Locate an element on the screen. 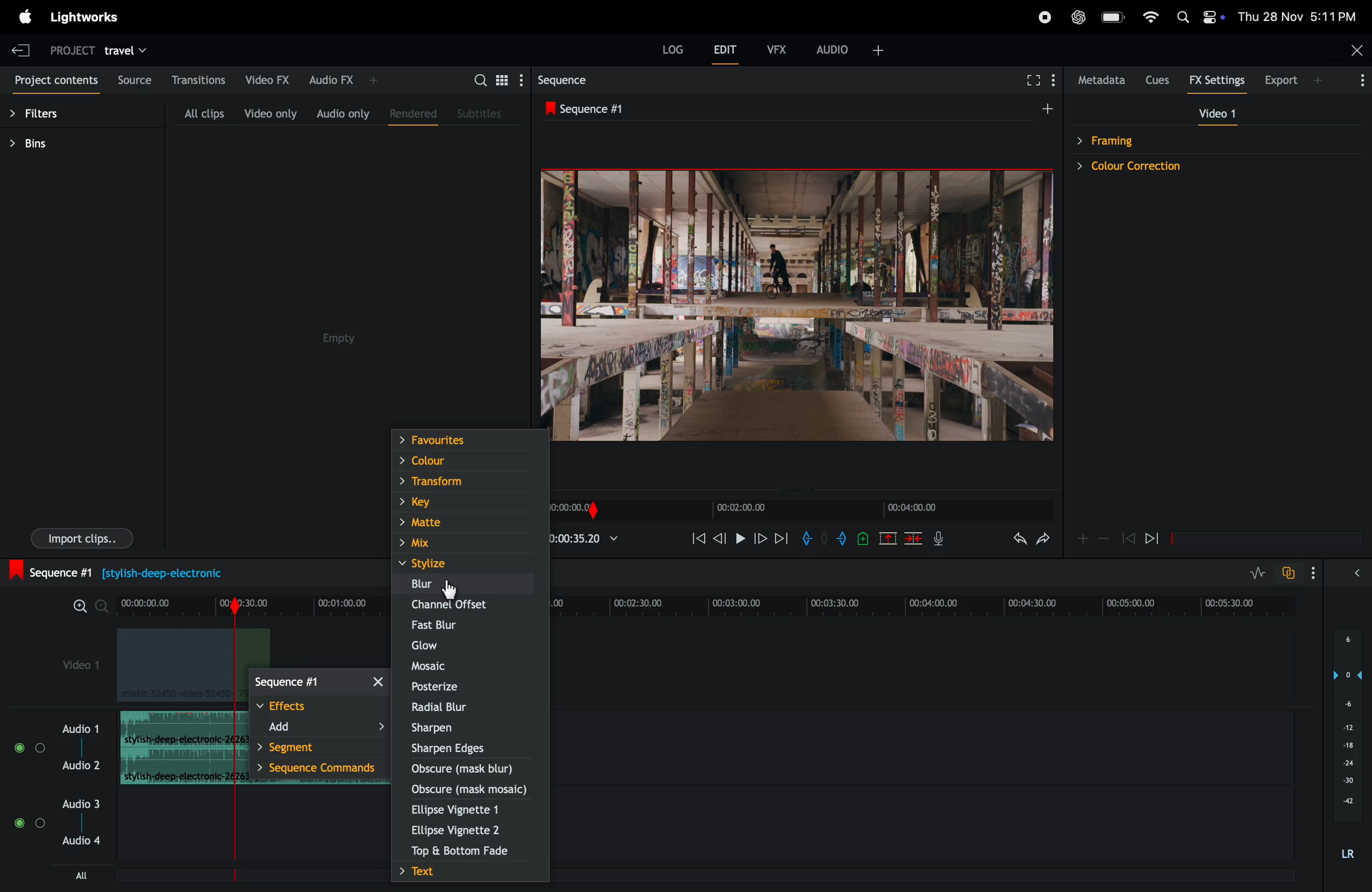  options is located at coordinates (1310, 572).